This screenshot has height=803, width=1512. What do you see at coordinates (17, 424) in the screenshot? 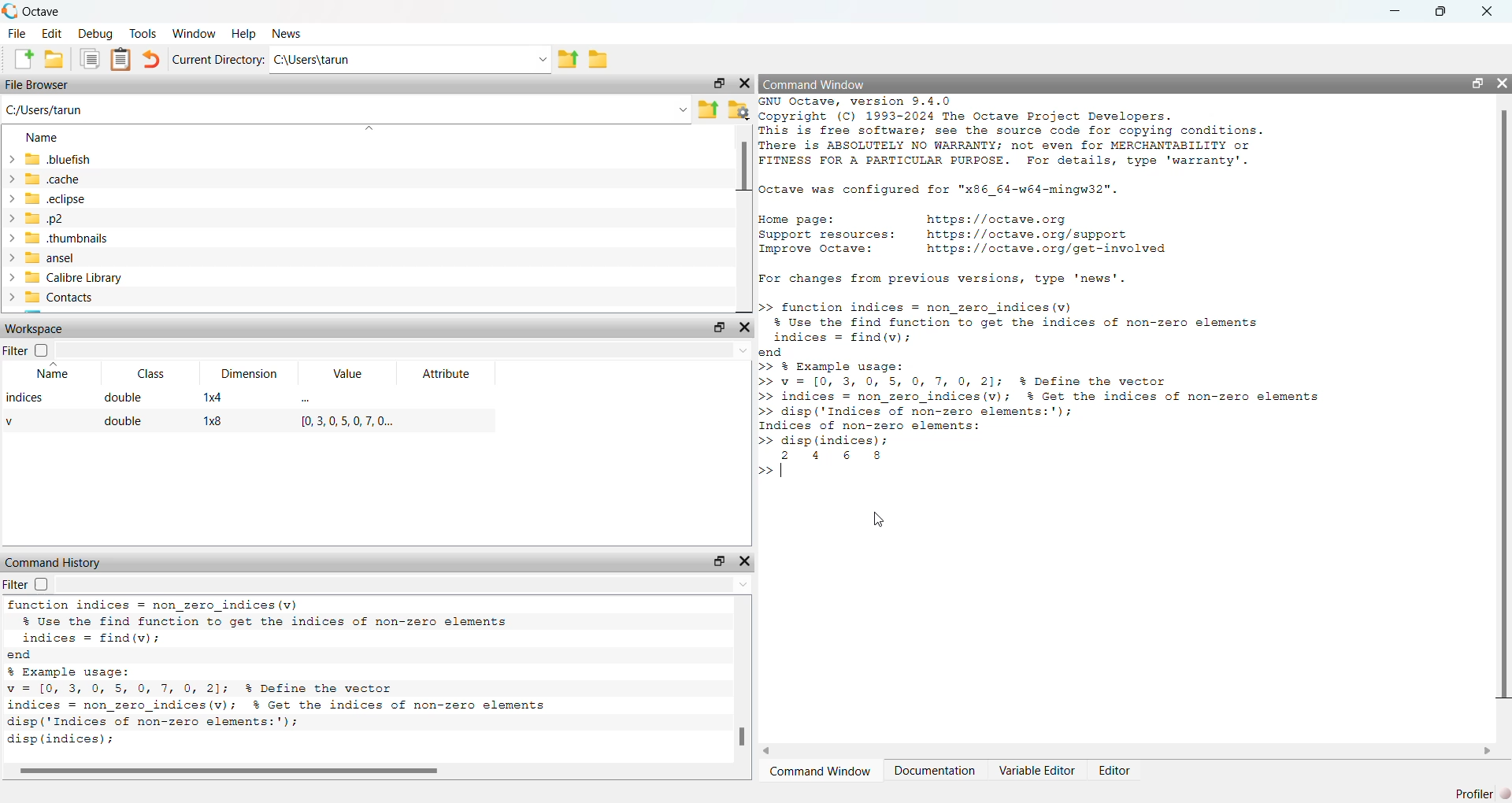
I see `v` at bounding box center [17, 424].